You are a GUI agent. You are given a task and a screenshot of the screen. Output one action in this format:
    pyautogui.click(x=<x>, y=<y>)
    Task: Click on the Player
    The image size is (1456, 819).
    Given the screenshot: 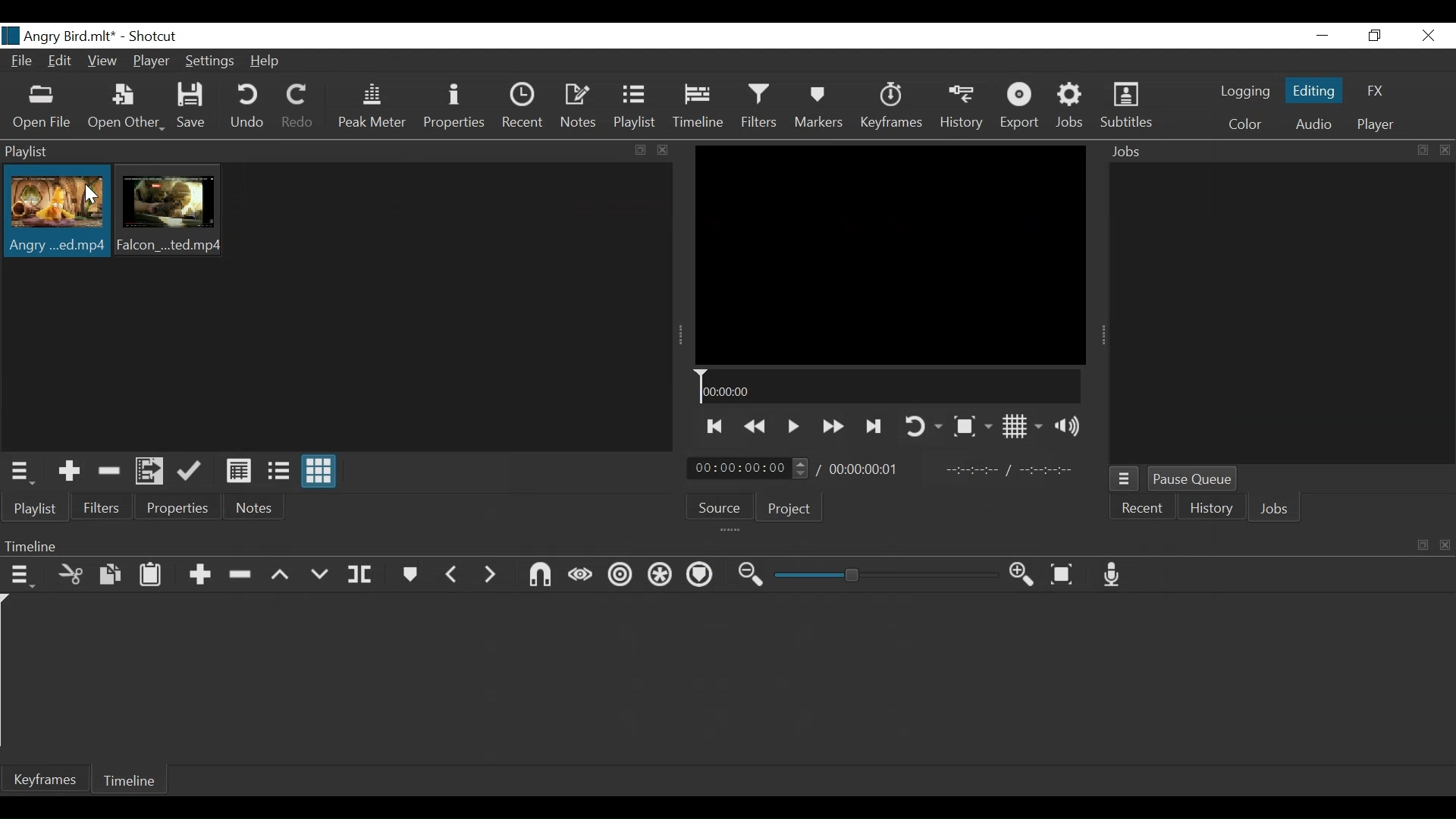 What is the action you would take?
    pyautogui.click(x=152, y=61)
    